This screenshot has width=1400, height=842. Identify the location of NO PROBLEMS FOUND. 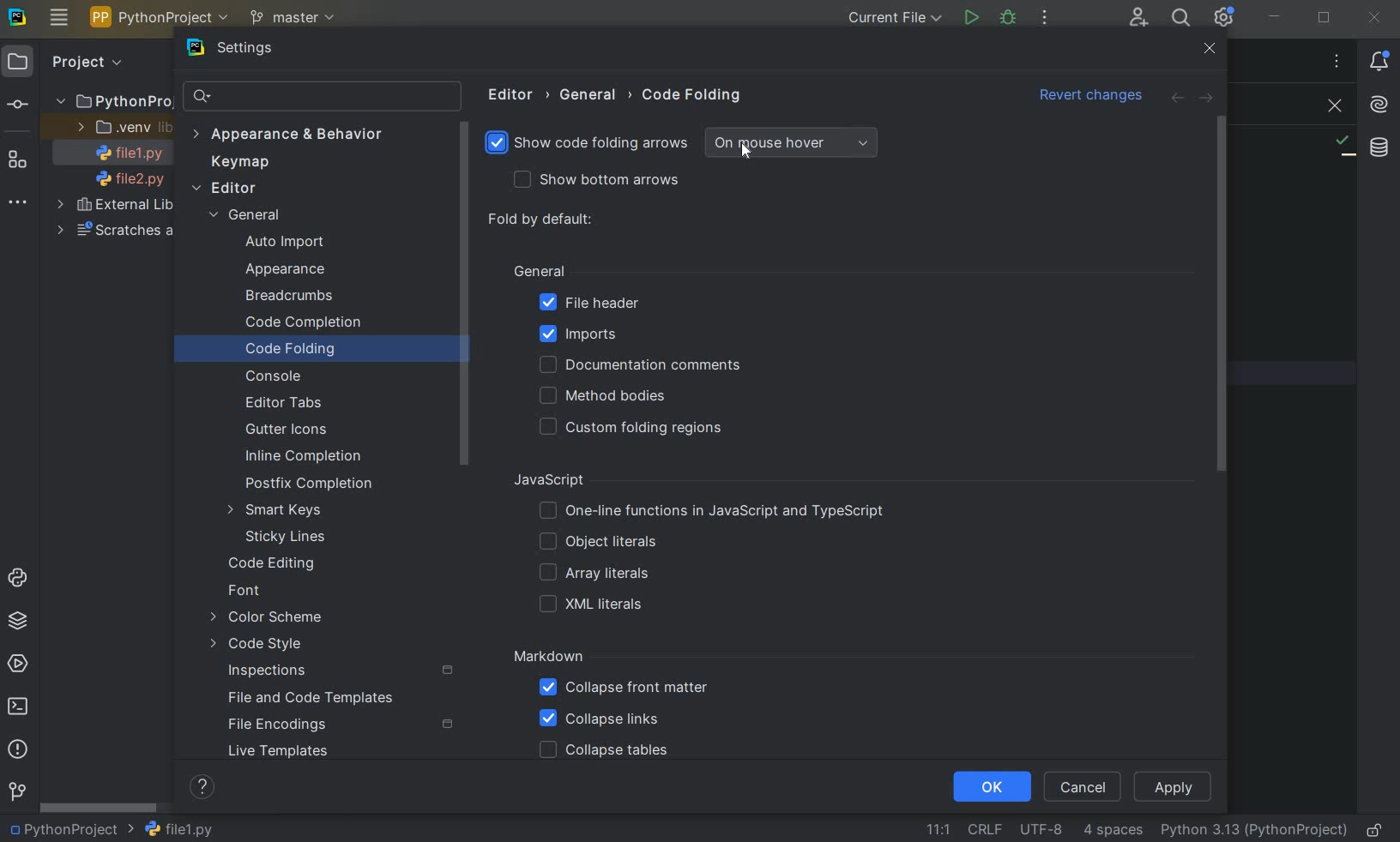
(1343, 146).